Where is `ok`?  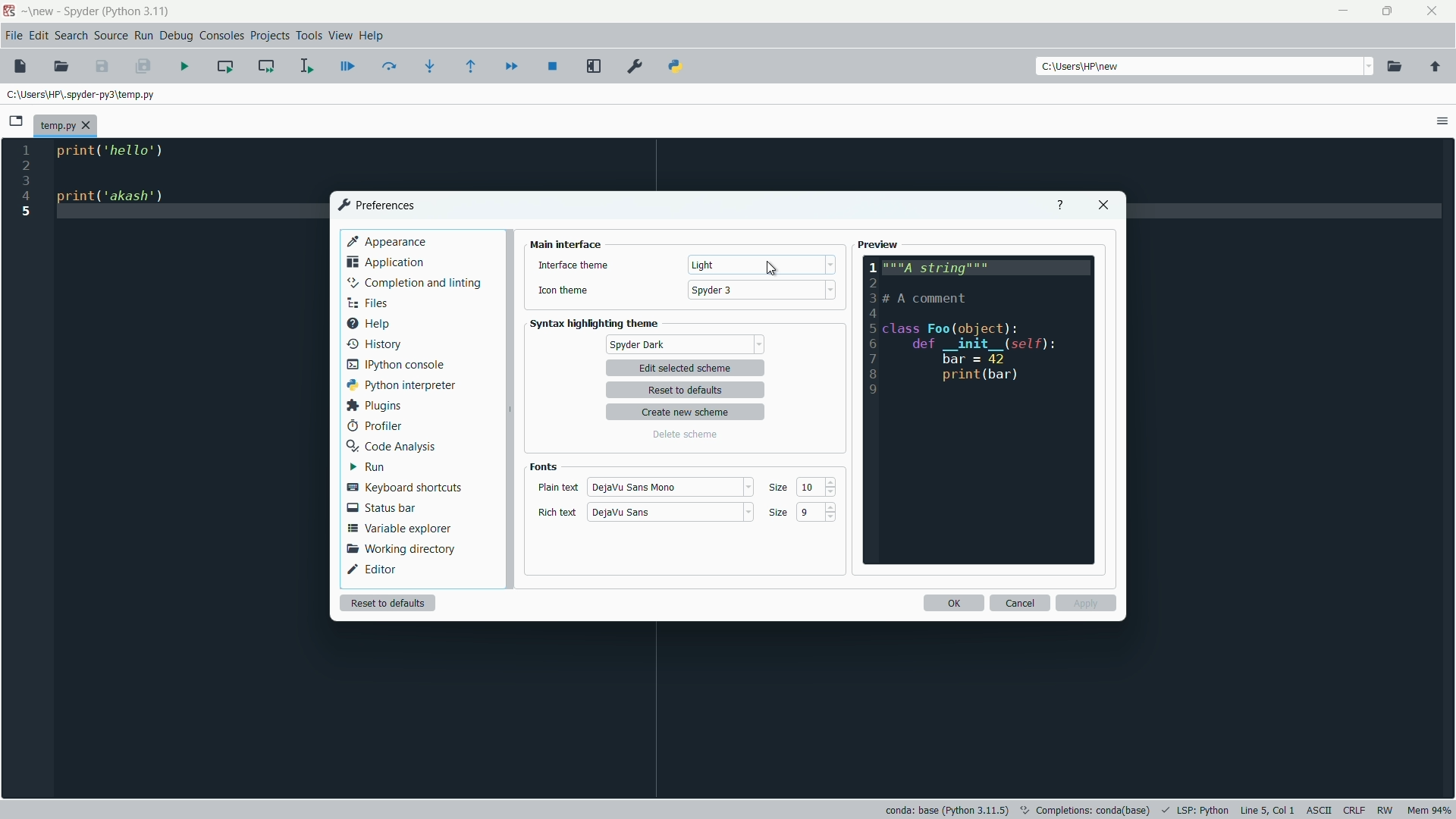 ok is located at coordinates (952, 603).